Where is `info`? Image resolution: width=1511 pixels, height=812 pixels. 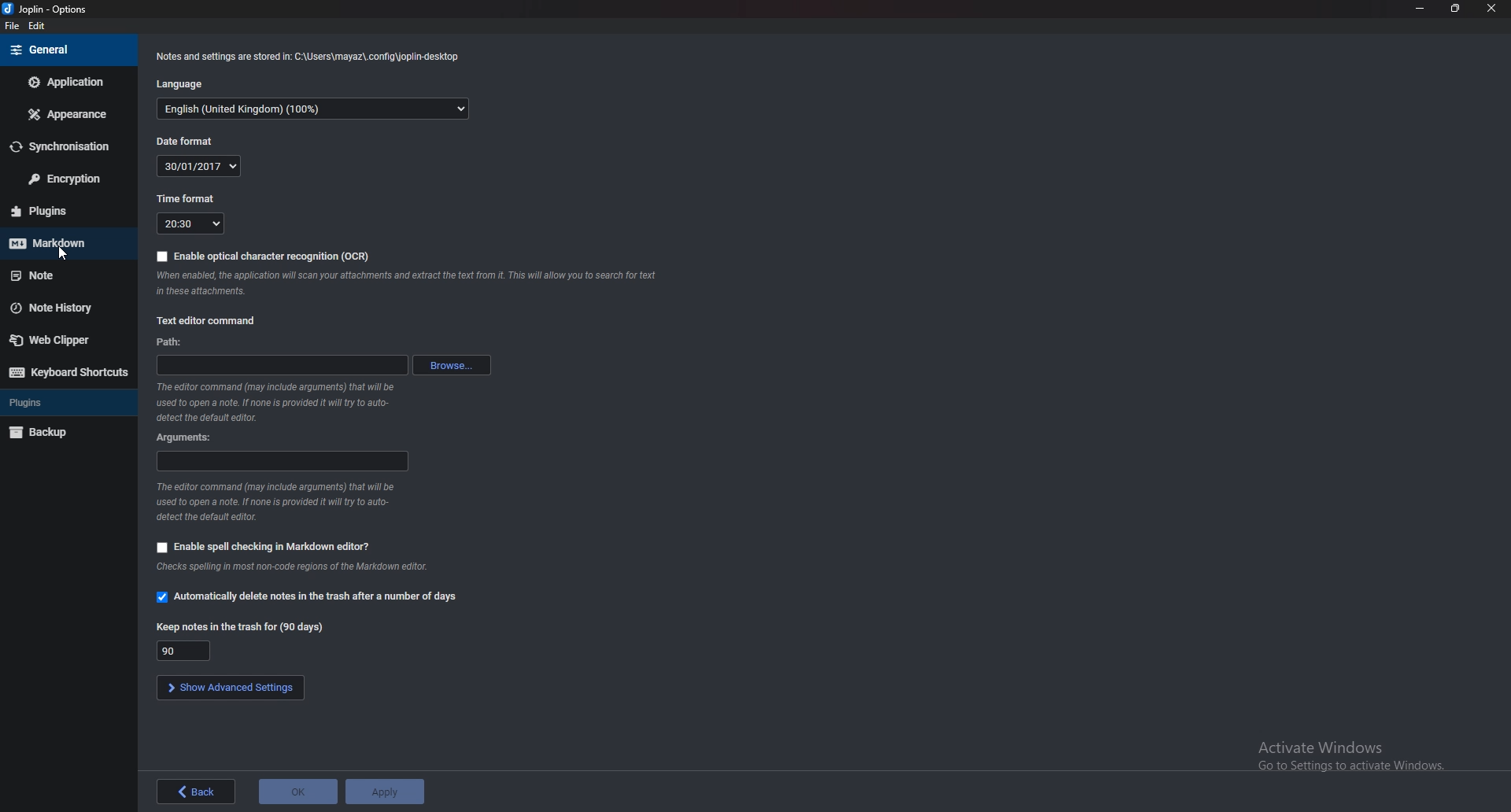 info is located at coordinates (294, 567).